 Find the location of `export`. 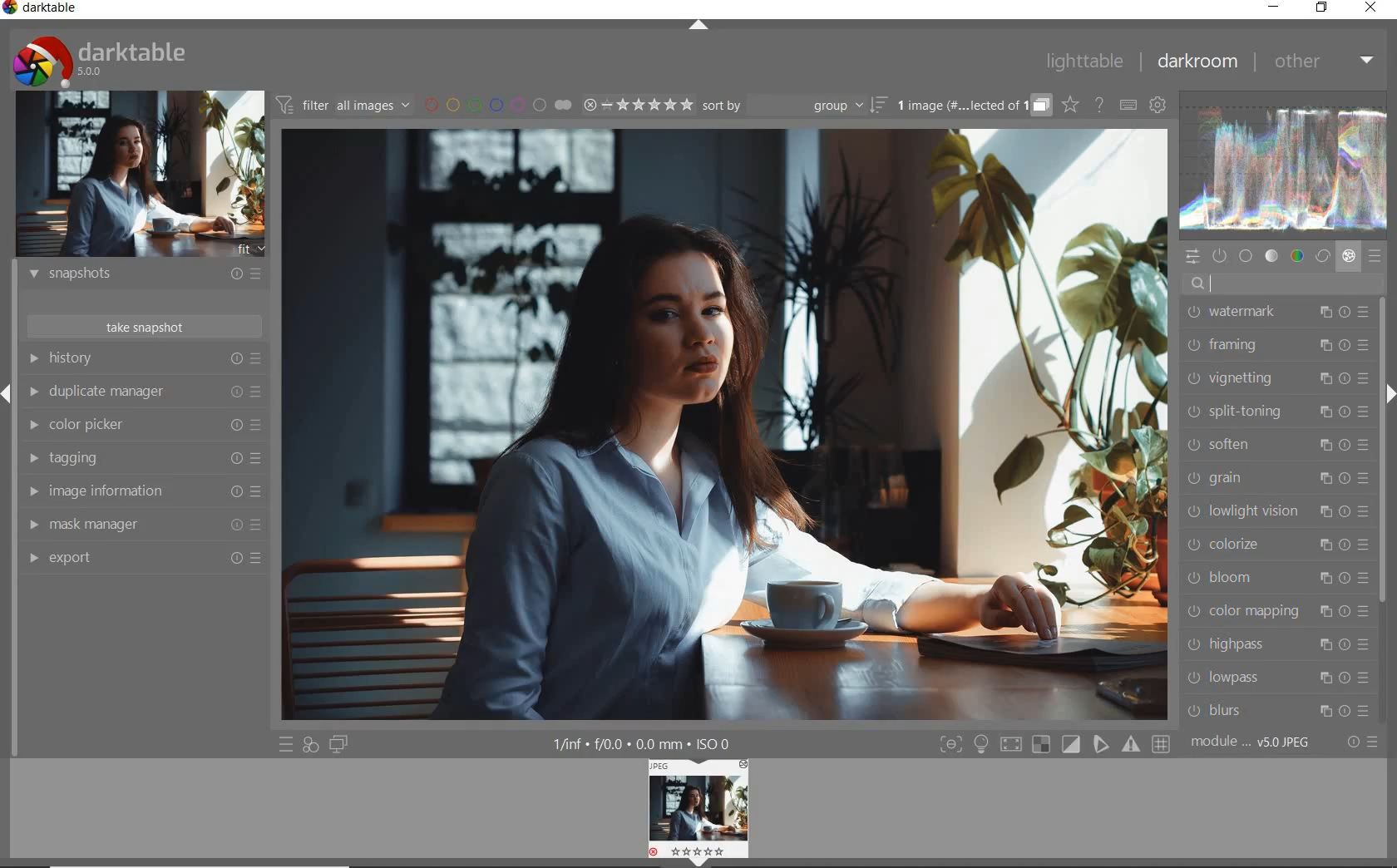

export is located at coordinates (141, 559).